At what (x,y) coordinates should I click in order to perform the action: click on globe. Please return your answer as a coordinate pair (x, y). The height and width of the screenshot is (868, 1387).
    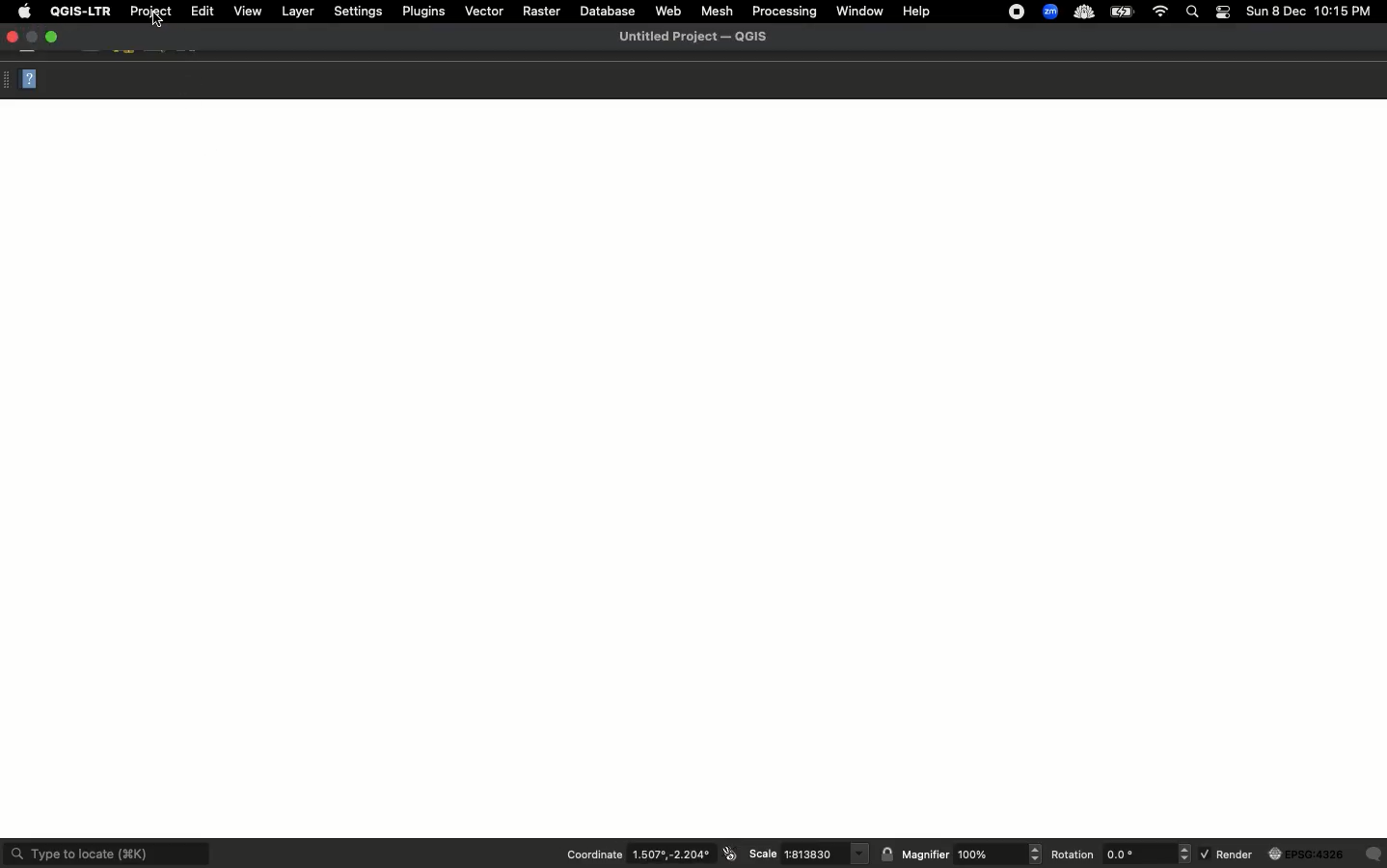
    Looking at the image, I should click on (1309, 854).